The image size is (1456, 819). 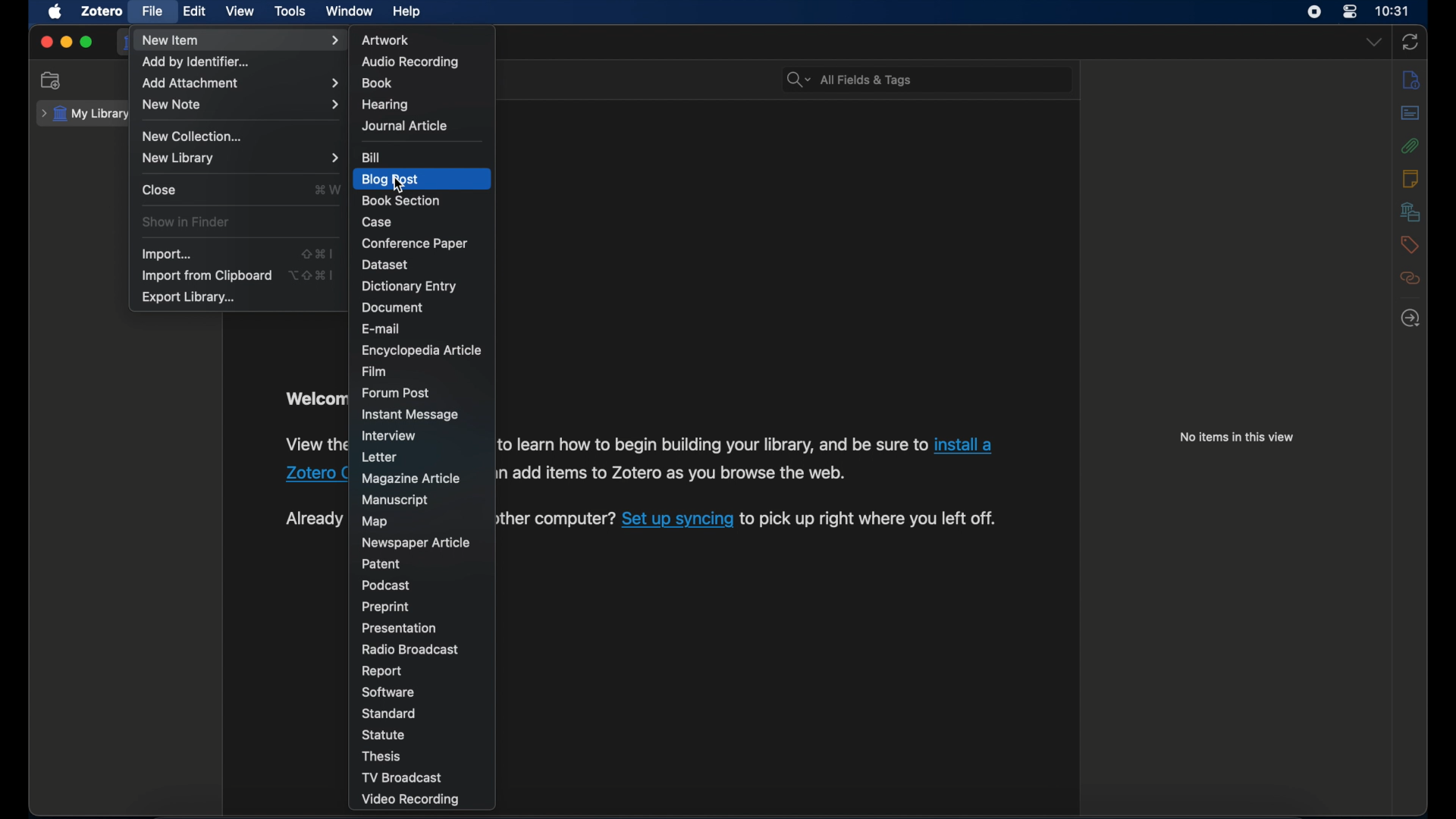 I want to click on obscure text, so click(x=313, y=444).